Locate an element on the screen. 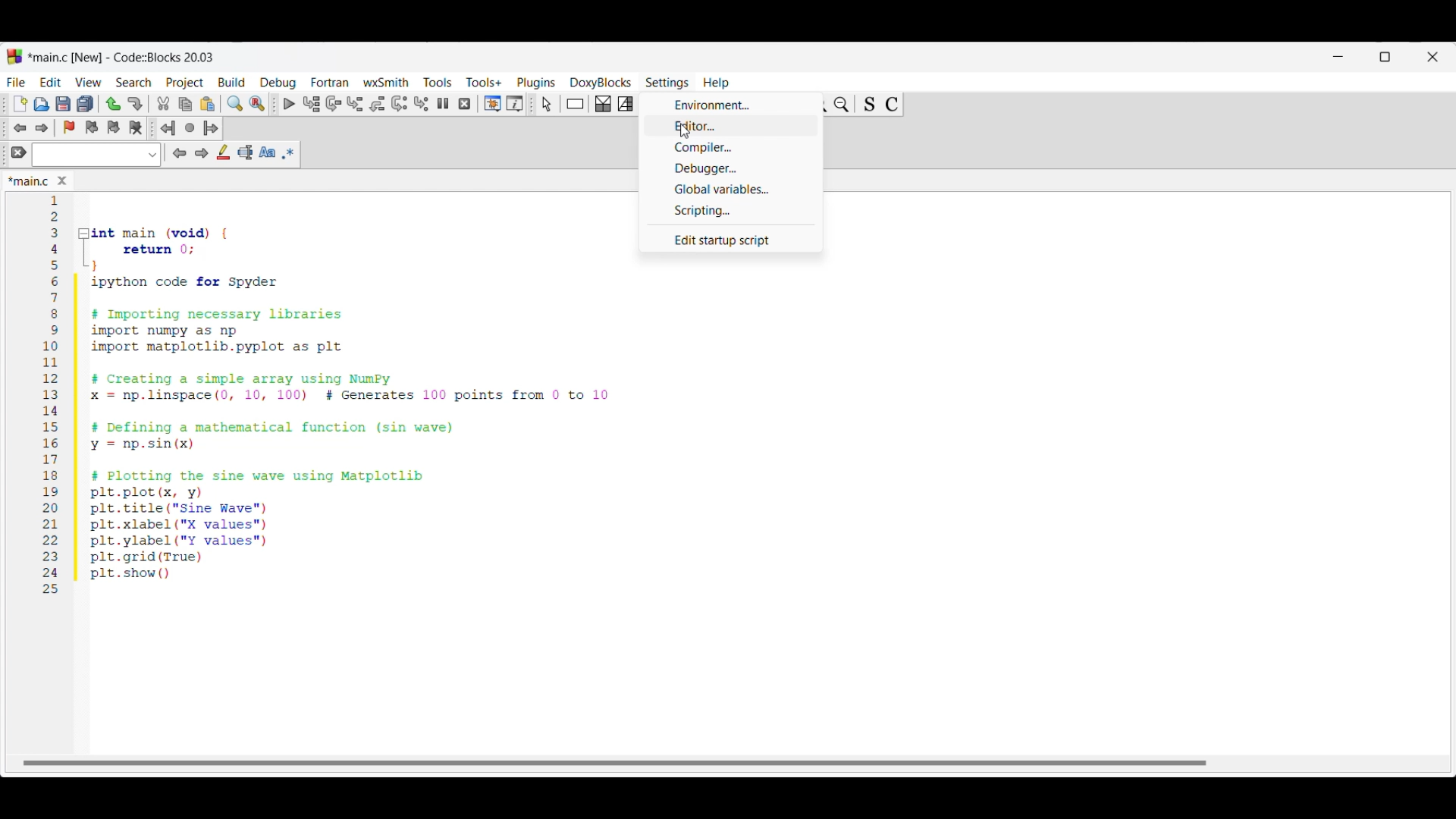  Edit startup script is located at coordinates (730, 240).